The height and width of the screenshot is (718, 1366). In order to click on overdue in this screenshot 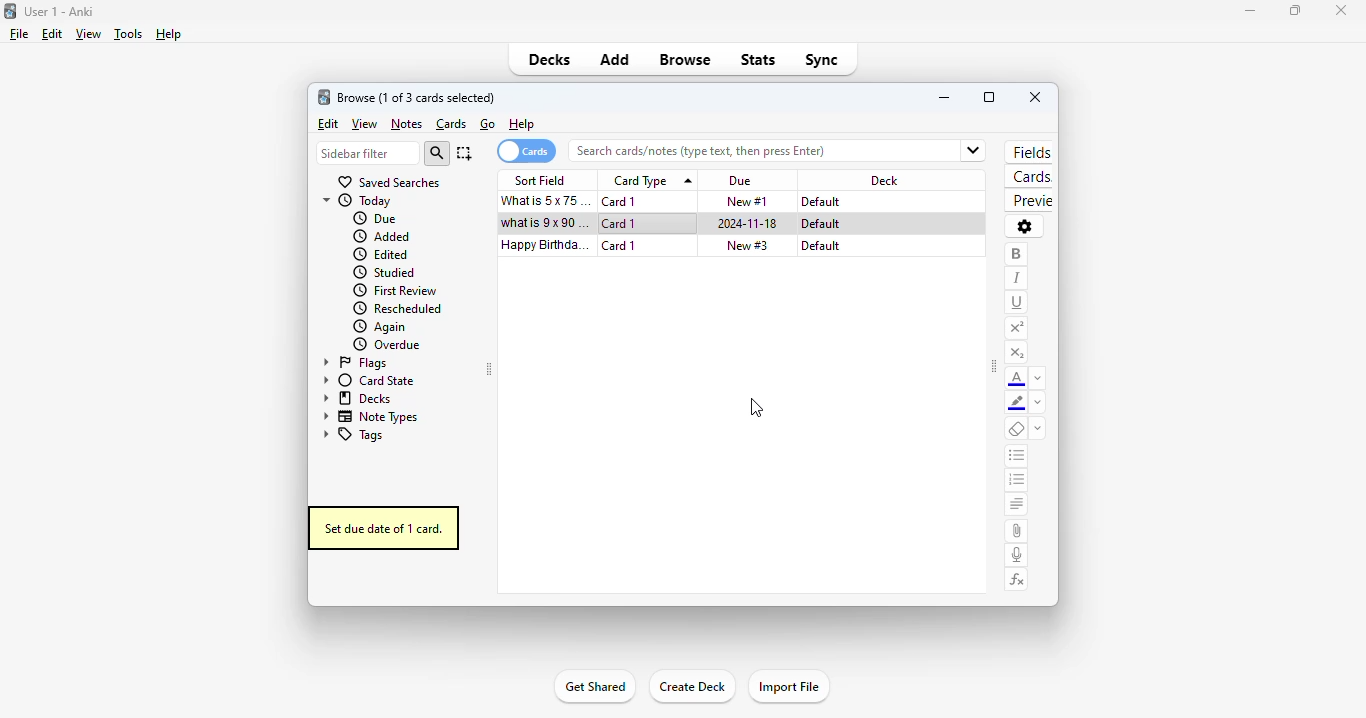, I will do `click(388, 345)`.